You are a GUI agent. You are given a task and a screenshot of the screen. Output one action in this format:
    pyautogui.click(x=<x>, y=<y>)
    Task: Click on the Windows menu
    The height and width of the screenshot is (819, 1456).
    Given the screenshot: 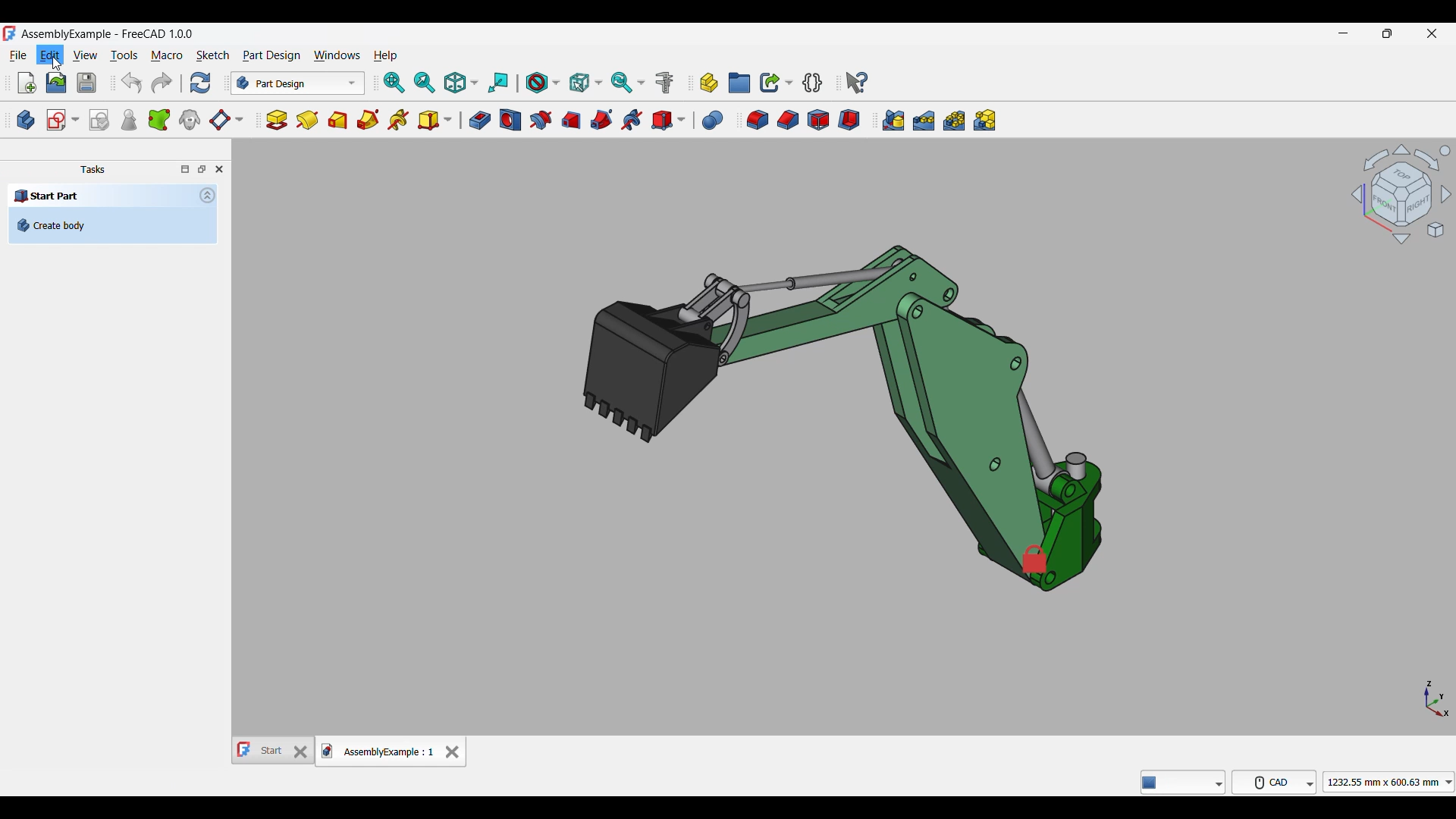 What is the action you would take?
    pyautogui.click(x=337, y=56)
    